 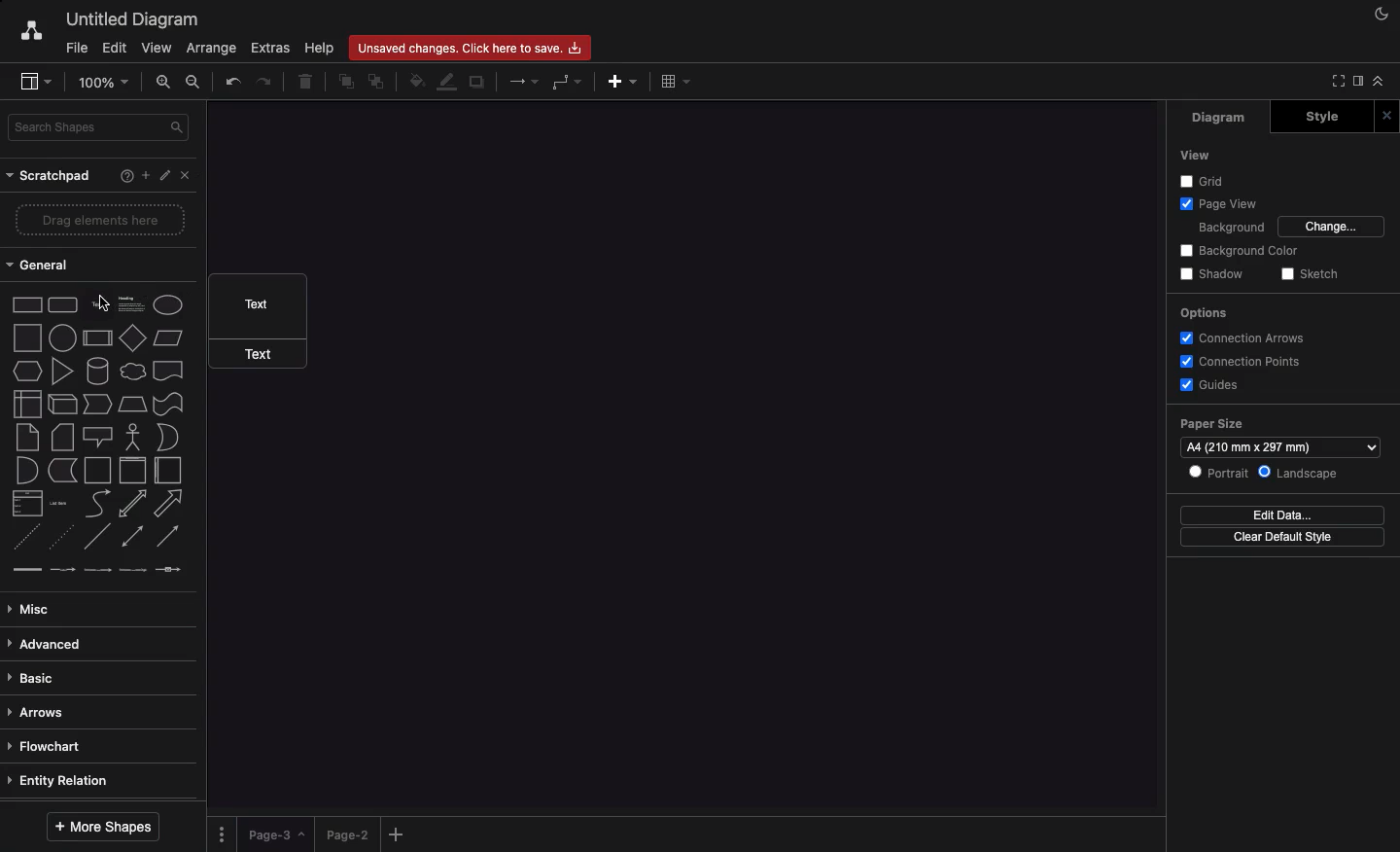 What do you see at coordinates (40, 714) in the screenshot?
I see `Arrows` at bounding box center [40, 714].